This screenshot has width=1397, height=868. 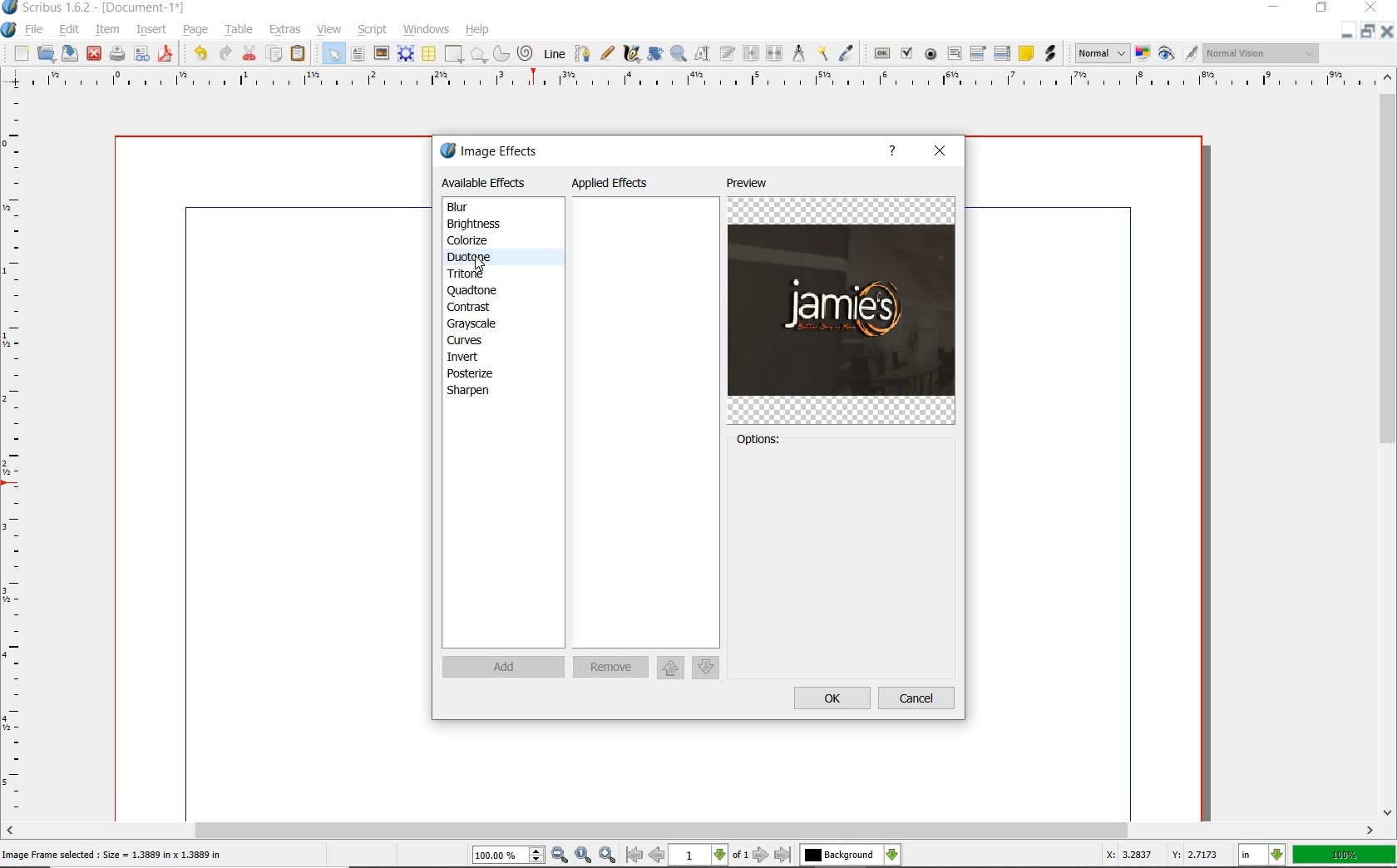 I want to click on preflight verifier, so click(x=143, y=54).